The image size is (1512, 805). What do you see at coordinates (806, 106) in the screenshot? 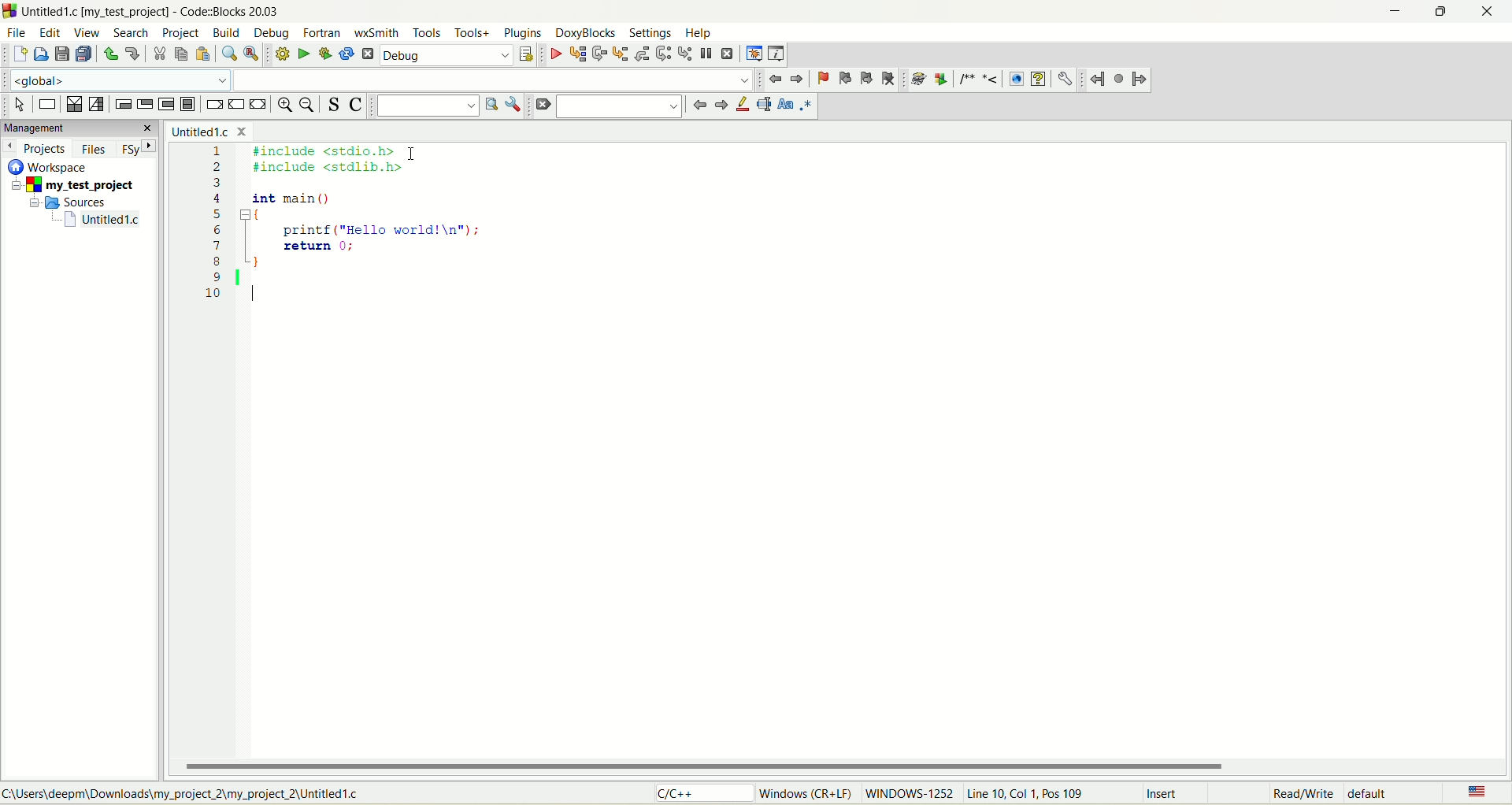
I see `regex` at bounding box center [806, 106].